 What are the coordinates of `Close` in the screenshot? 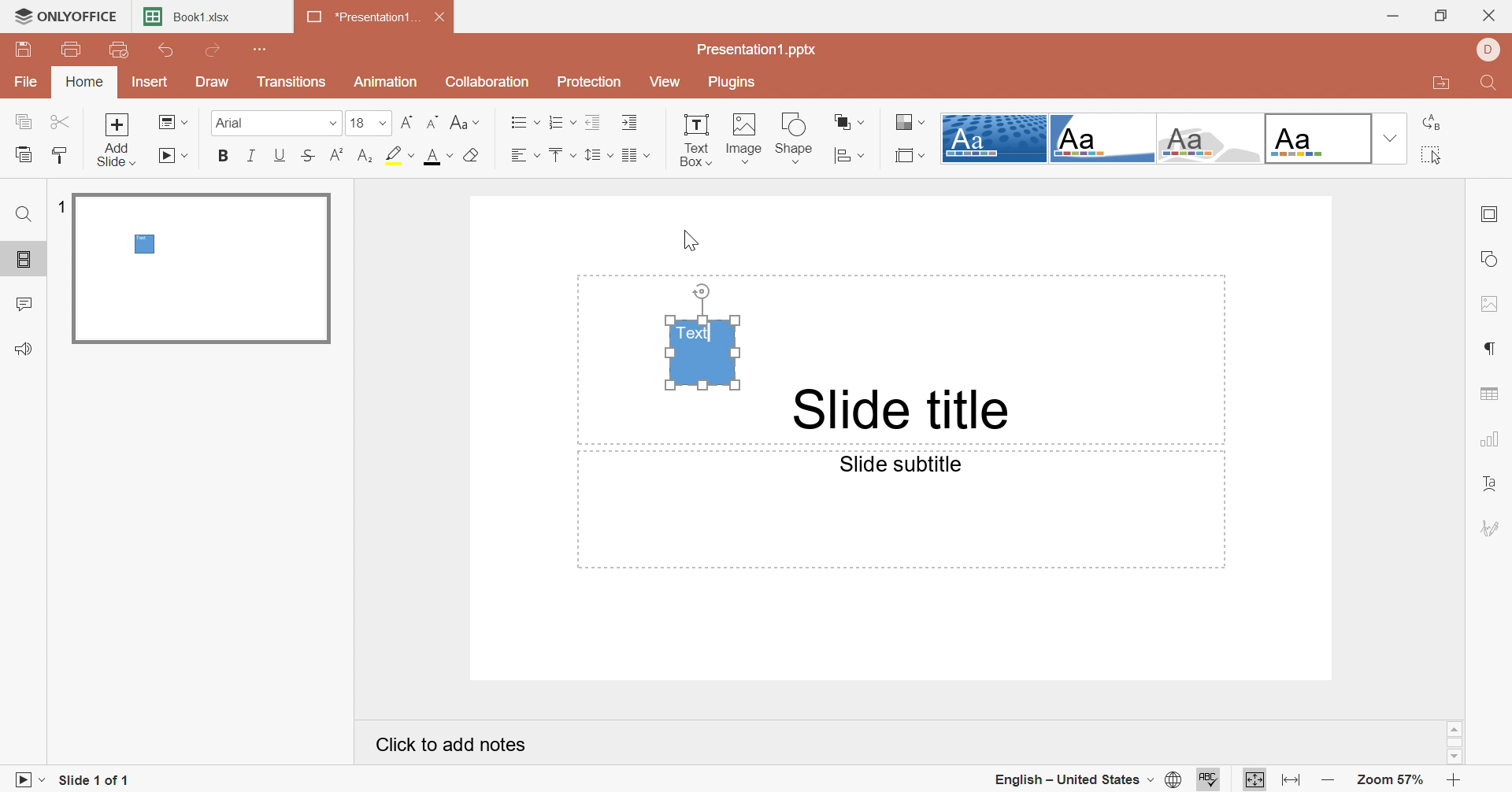 It's located at (442, 17).